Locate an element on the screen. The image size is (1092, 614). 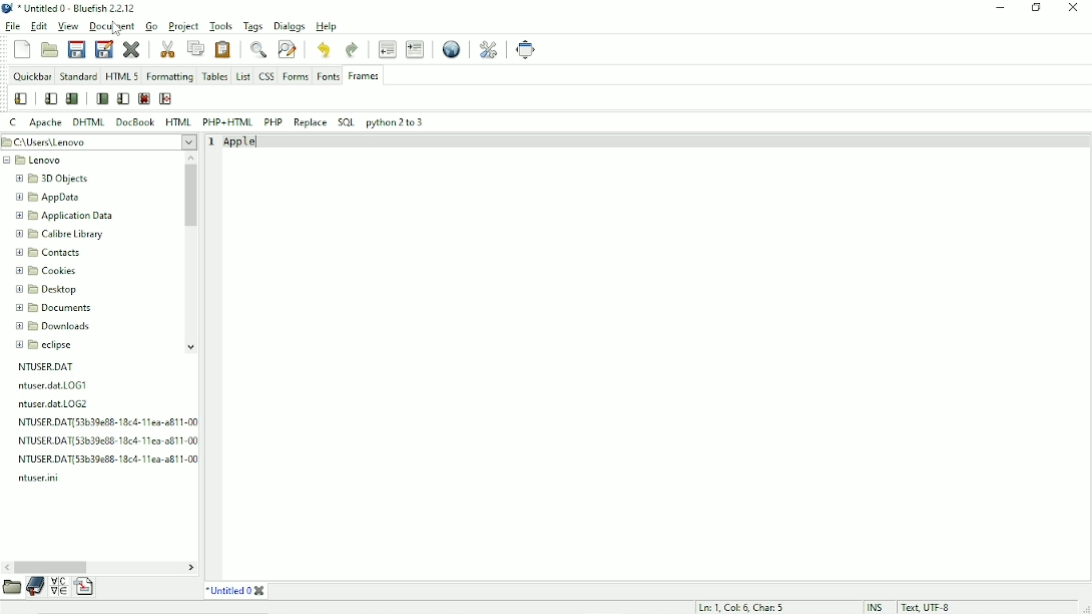
Horizontal scrollbar is located at coordinates (51, 567).